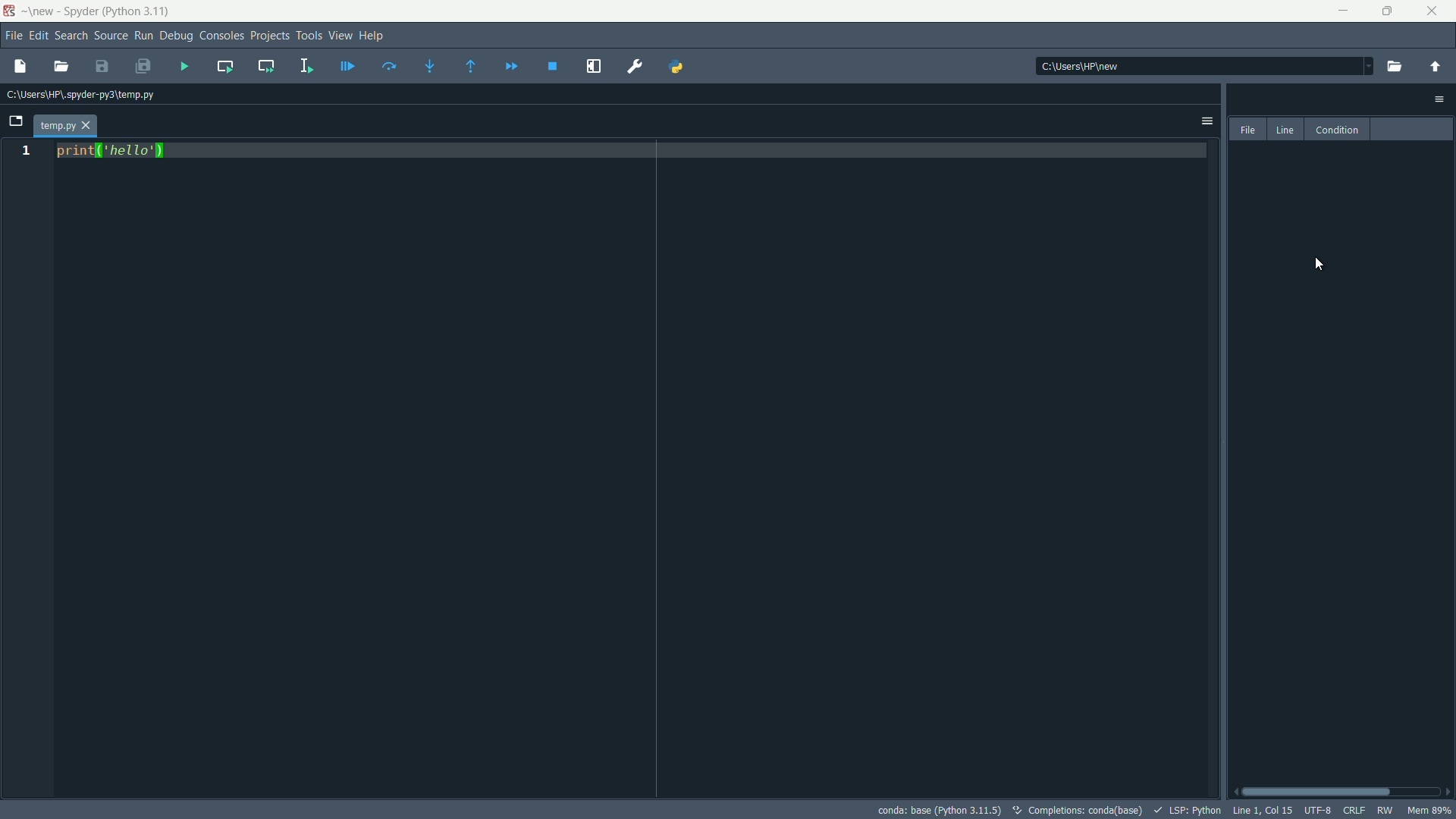 This screenshot has width=1456, height=819. I want to click on run current cell and go to the next one, so click(265, 64).